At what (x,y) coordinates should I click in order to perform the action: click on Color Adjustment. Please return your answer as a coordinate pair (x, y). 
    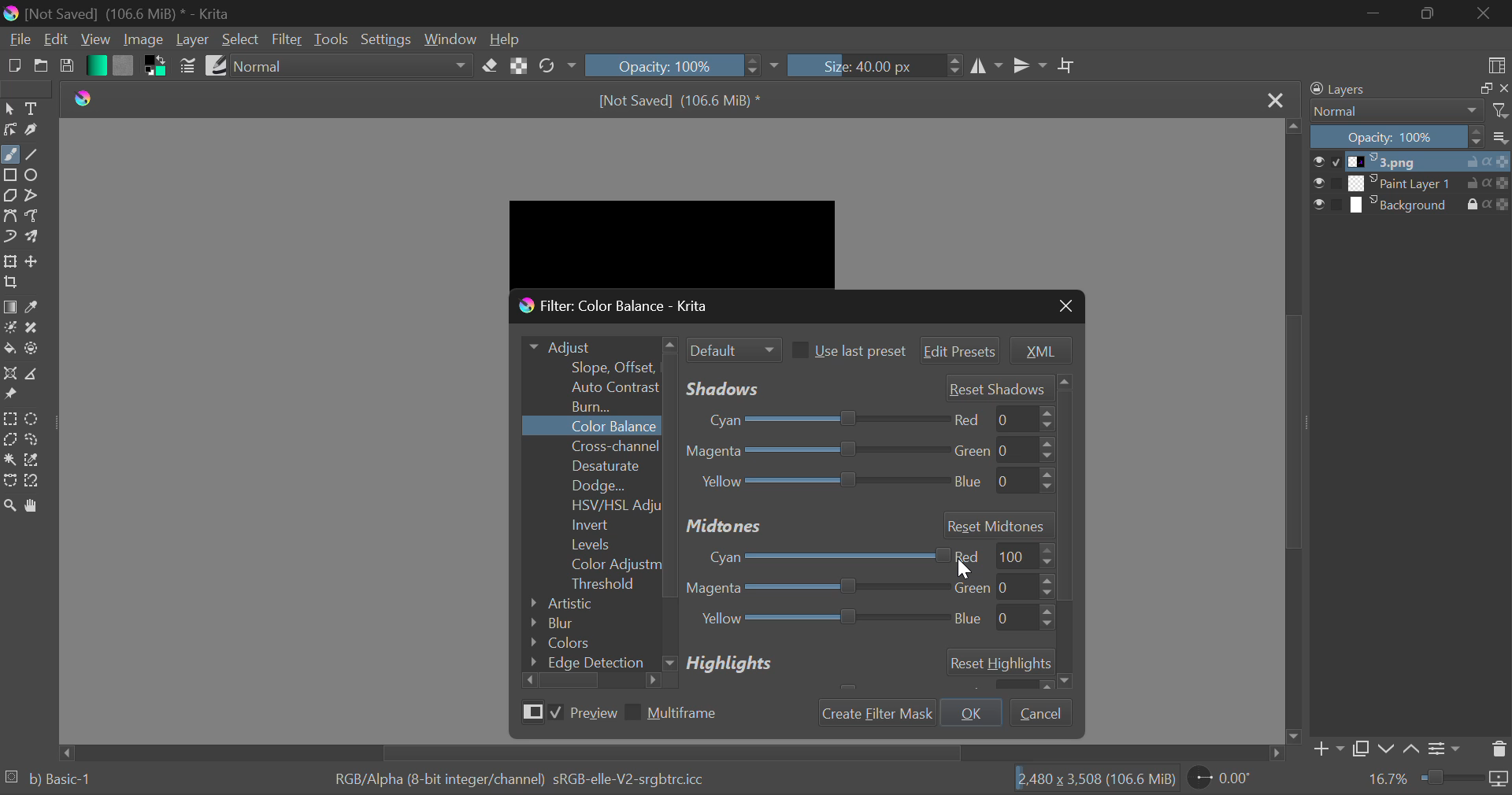
    Looking at the image, I should click on (592, 564).